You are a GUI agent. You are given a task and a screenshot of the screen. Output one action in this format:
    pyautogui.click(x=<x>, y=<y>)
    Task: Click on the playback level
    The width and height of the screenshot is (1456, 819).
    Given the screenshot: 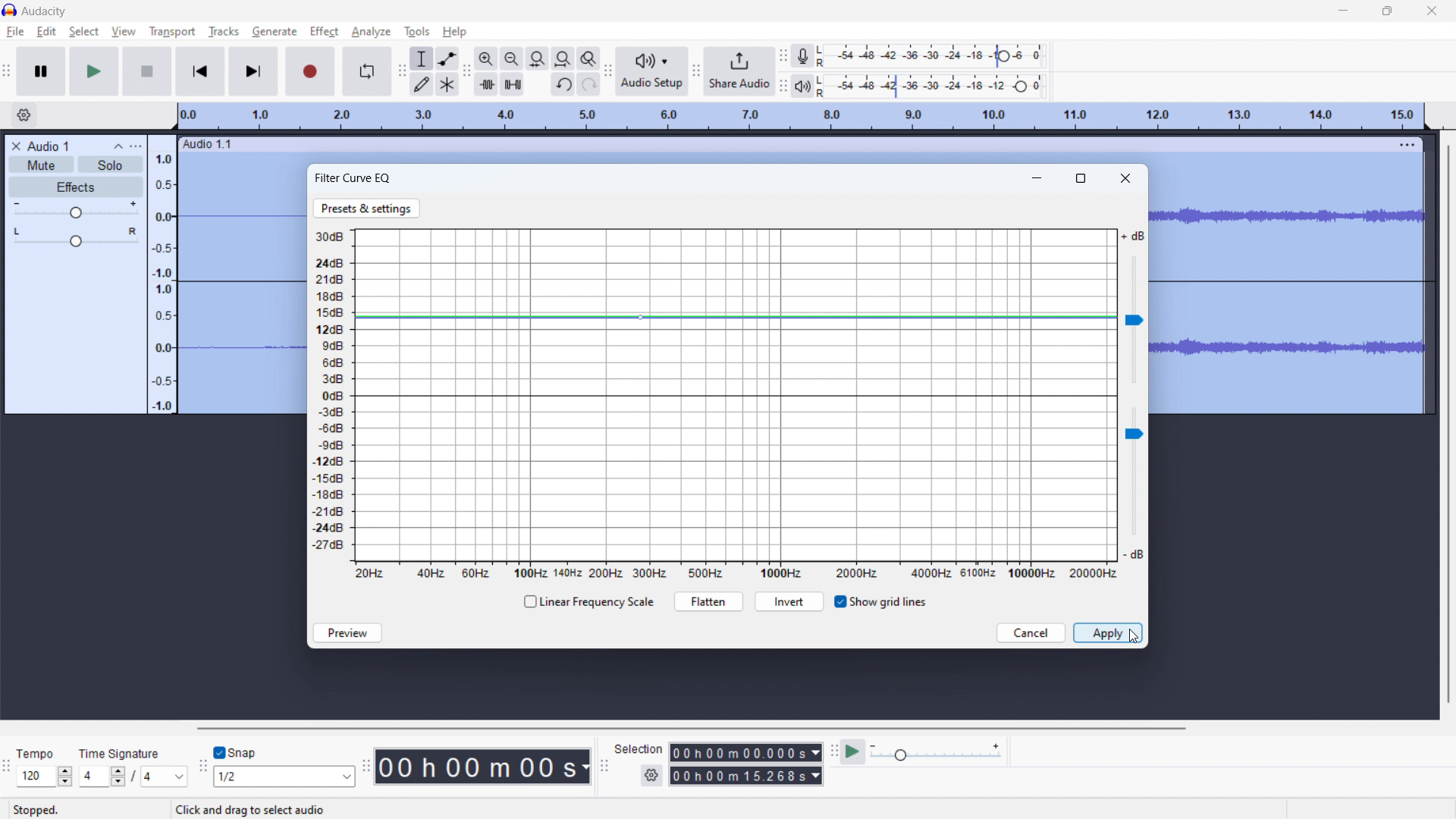 What is the action you would take?
    pyautogui.click(x=936, y=86)
    